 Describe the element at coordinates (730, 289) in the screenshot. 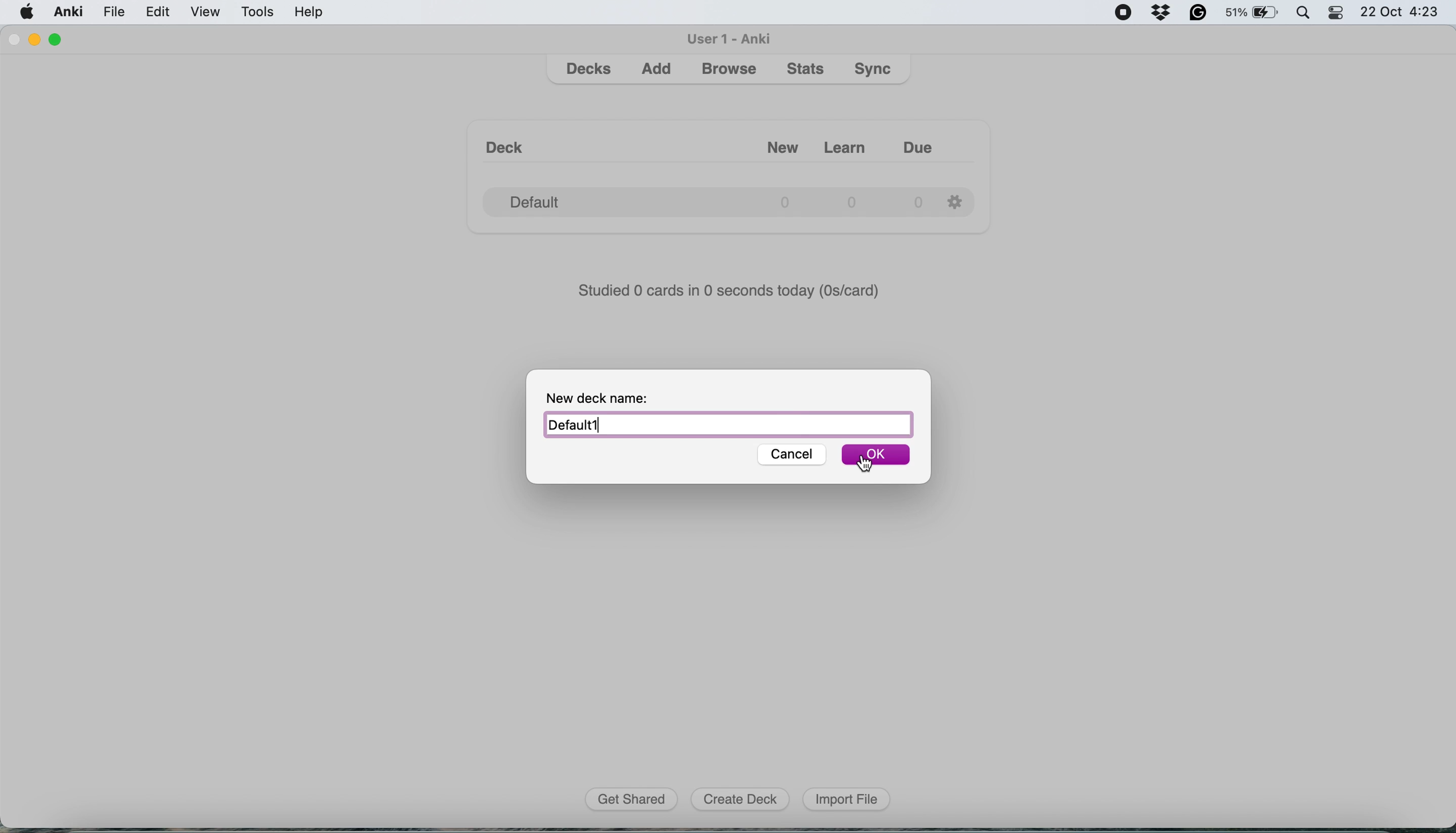

I see `Studied 0 cards in 0 seconds today (Discard)` at that location.